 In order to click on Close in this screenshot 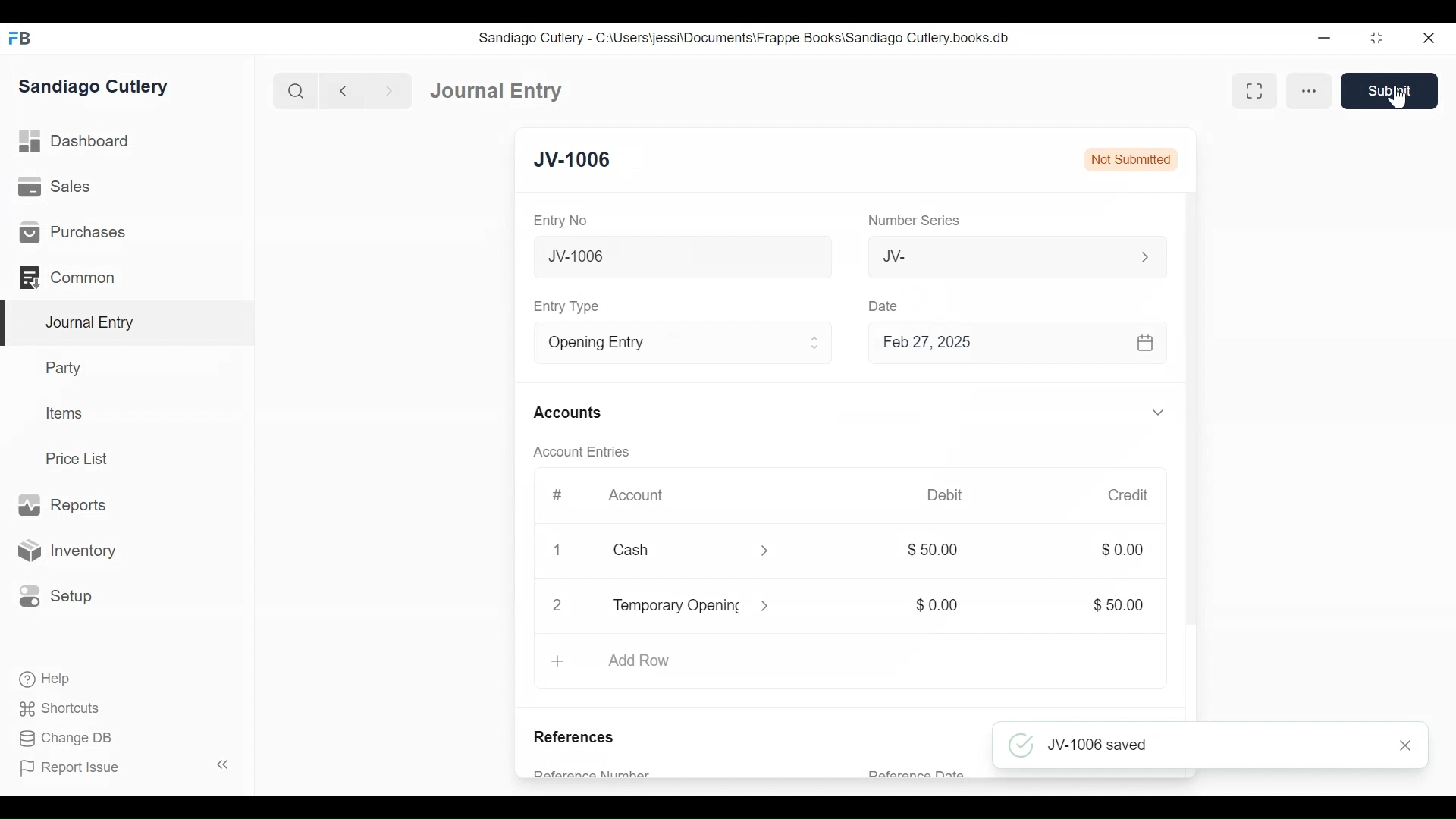, I will do `click(1407, 745)`.